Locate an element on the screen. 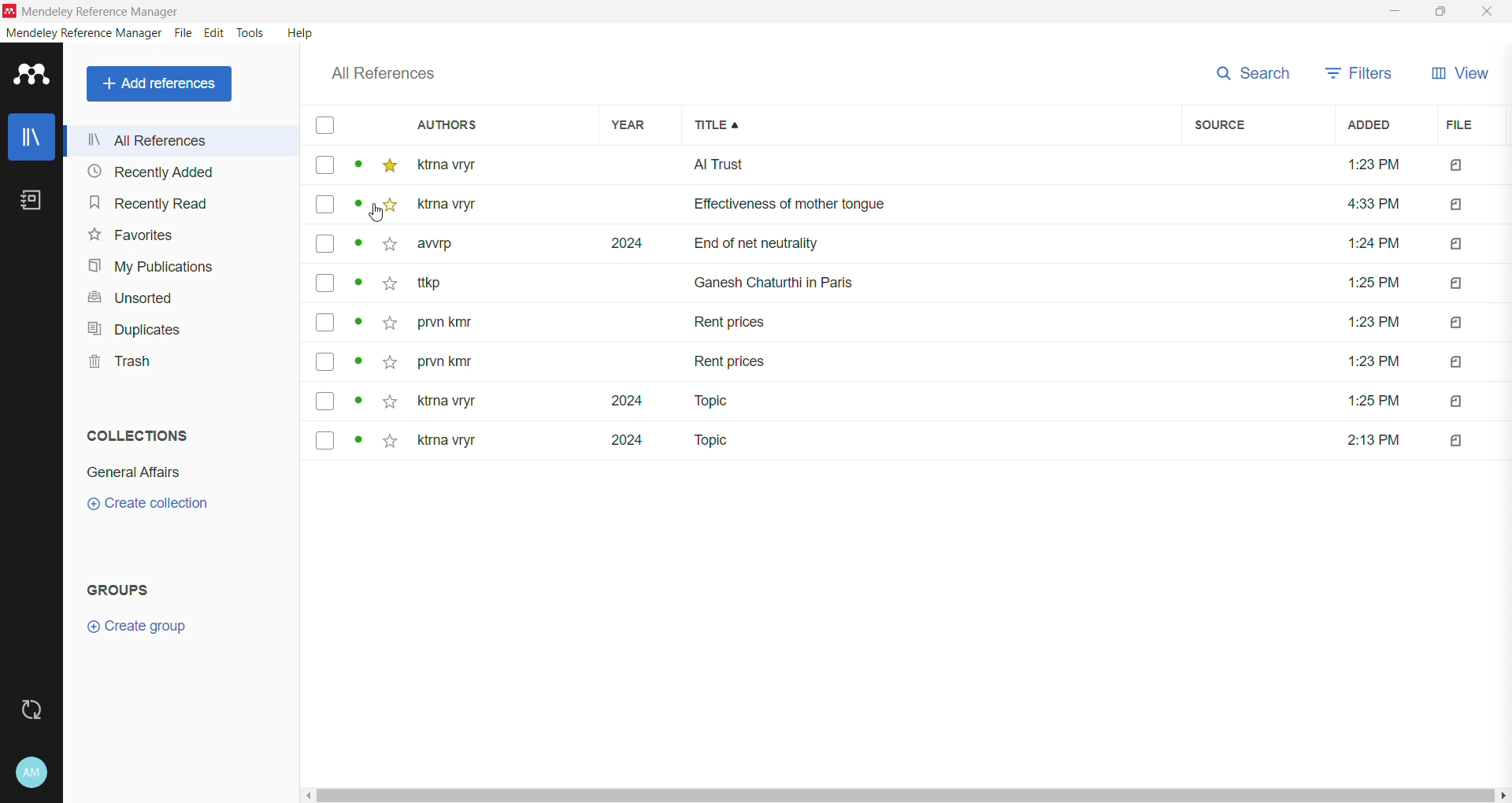 This screenshot has width=1512, height=803. icon is located at coordinates (1458, 242).